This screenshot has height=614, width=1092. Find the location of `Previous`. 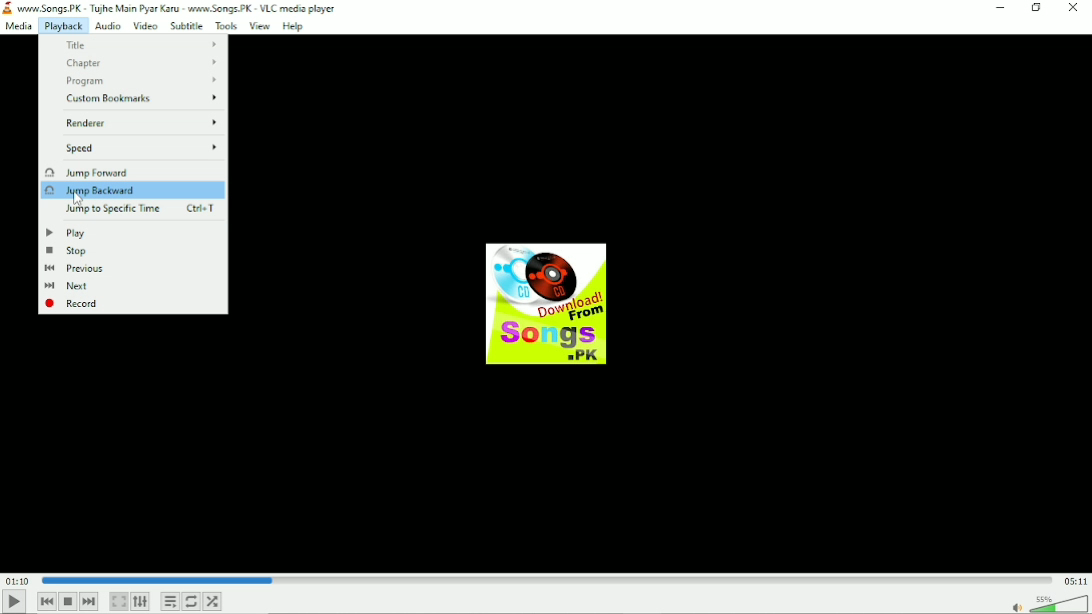

Previous is located at coordinates (47, 601).